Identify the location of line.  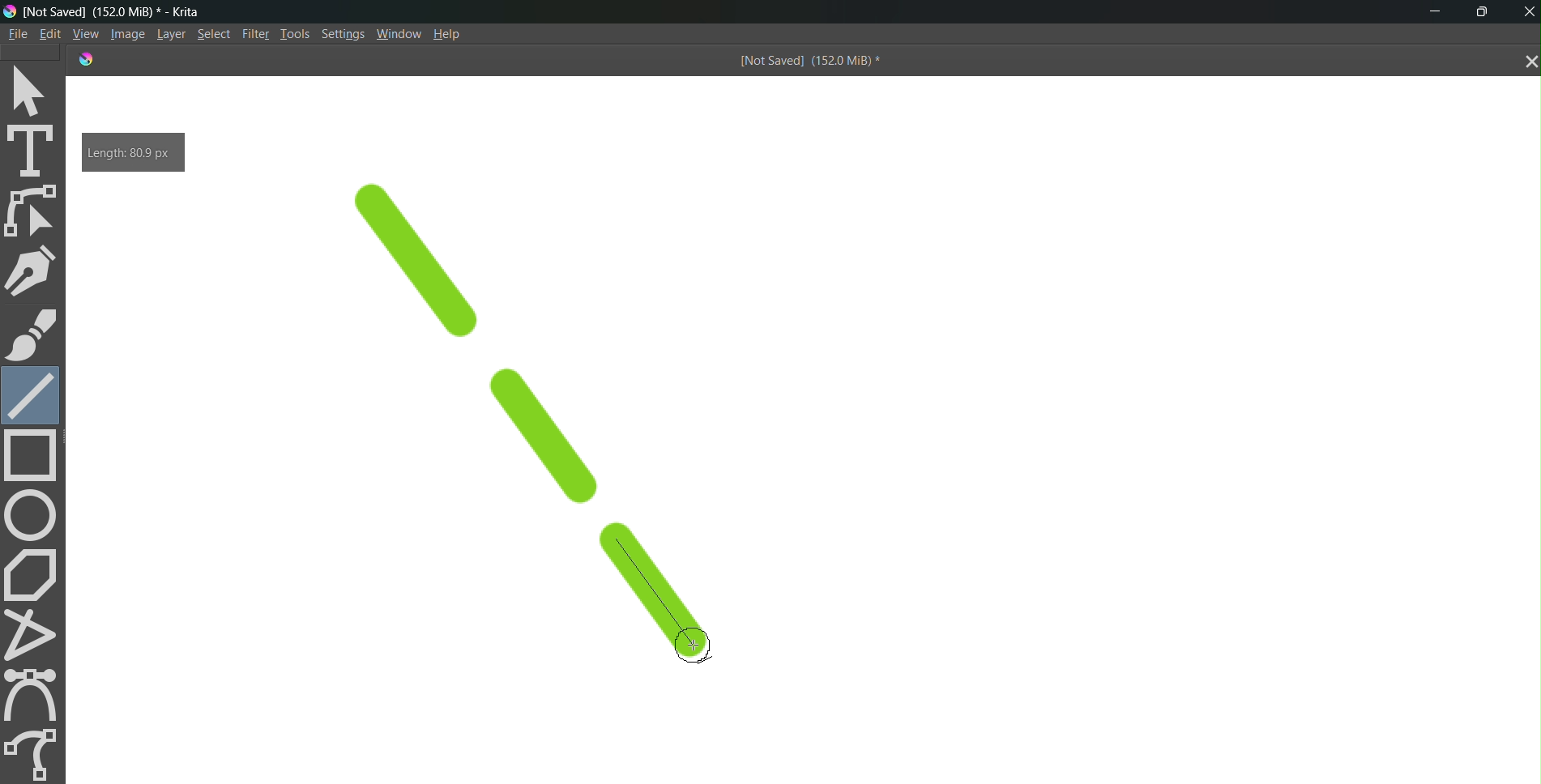
(561, 439).